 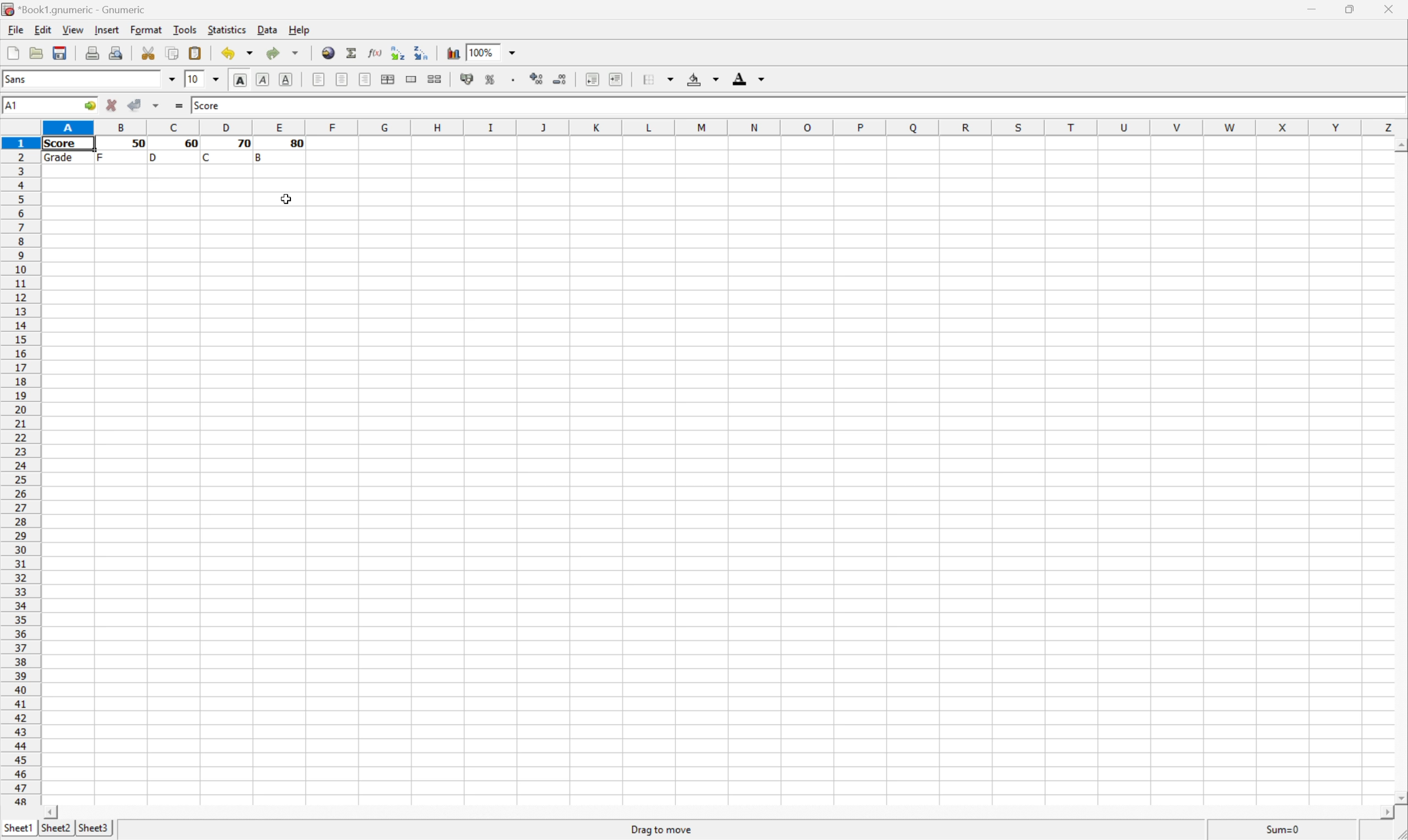 What do you see at coordinates (63, 144) in the screenshot?
I see `Score` at bounding box center [63, 144].